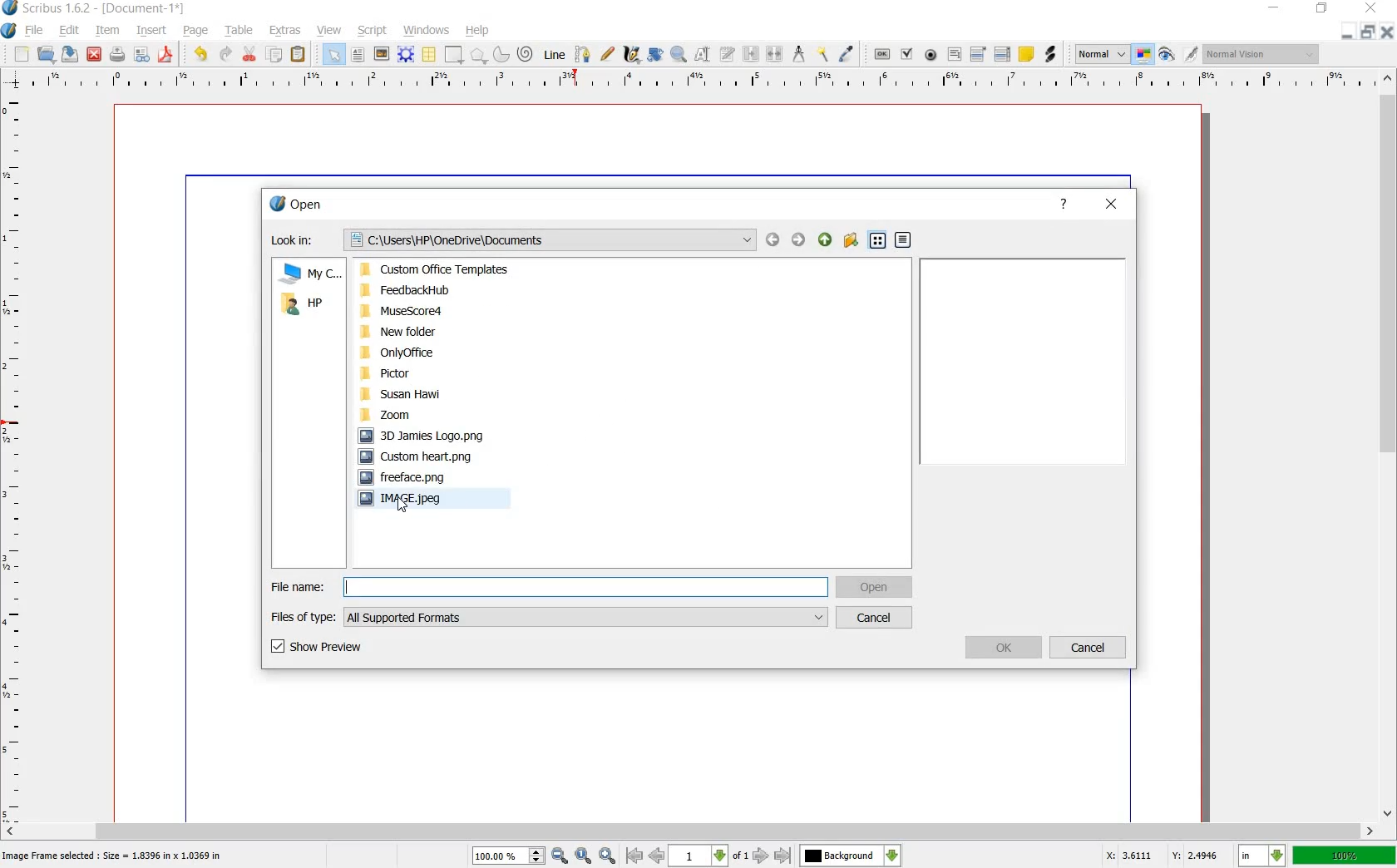 The height and width of the screenshot is (868, 1397). What do you see at coordinates (1119, 855) in the screenshot?
I see `coordinates x: 3.4729` at bounding box center [1119, 855].